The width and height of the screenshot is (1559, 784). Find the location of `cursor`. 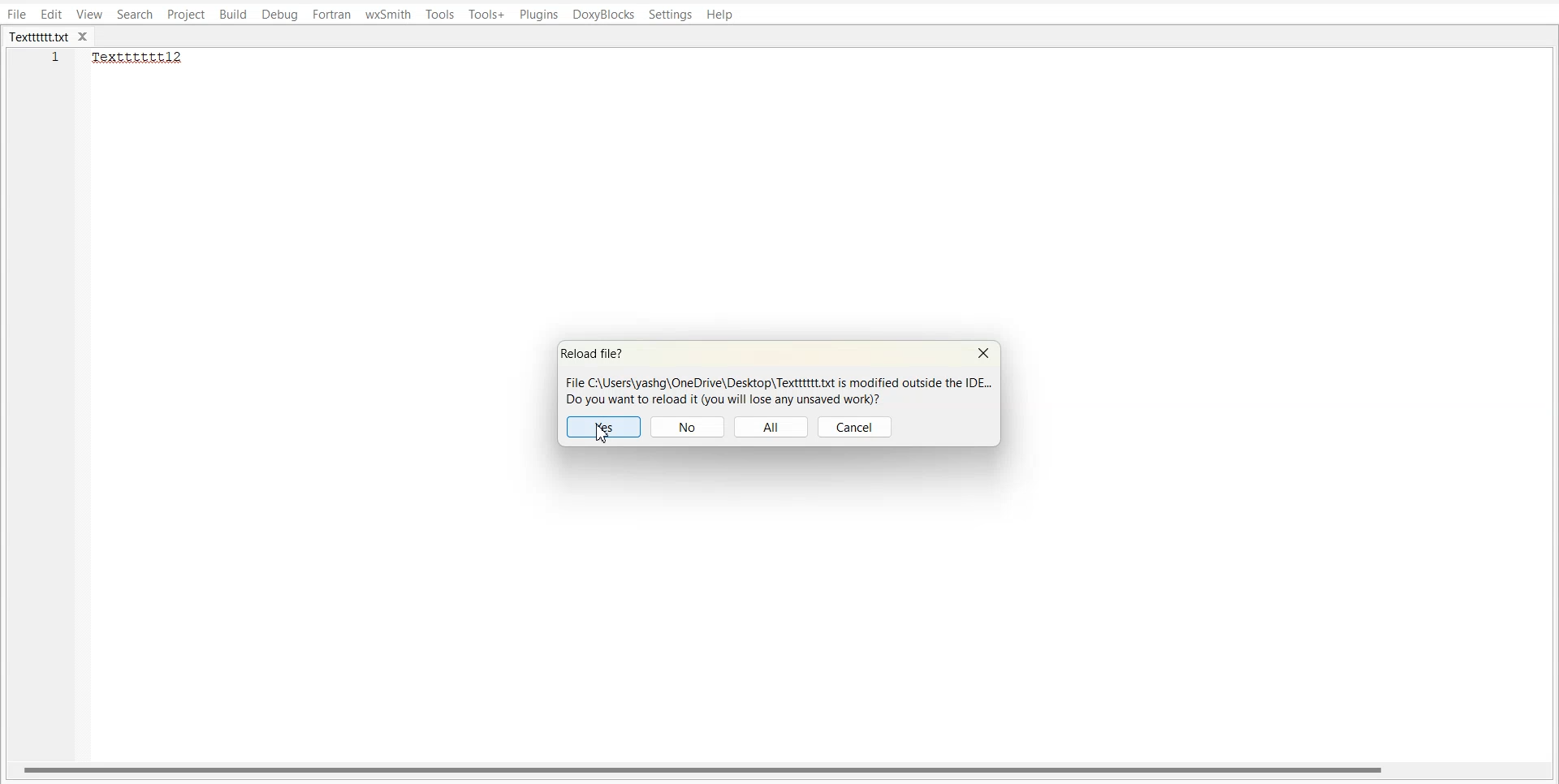

cursor is located at coordinates (608, 435).